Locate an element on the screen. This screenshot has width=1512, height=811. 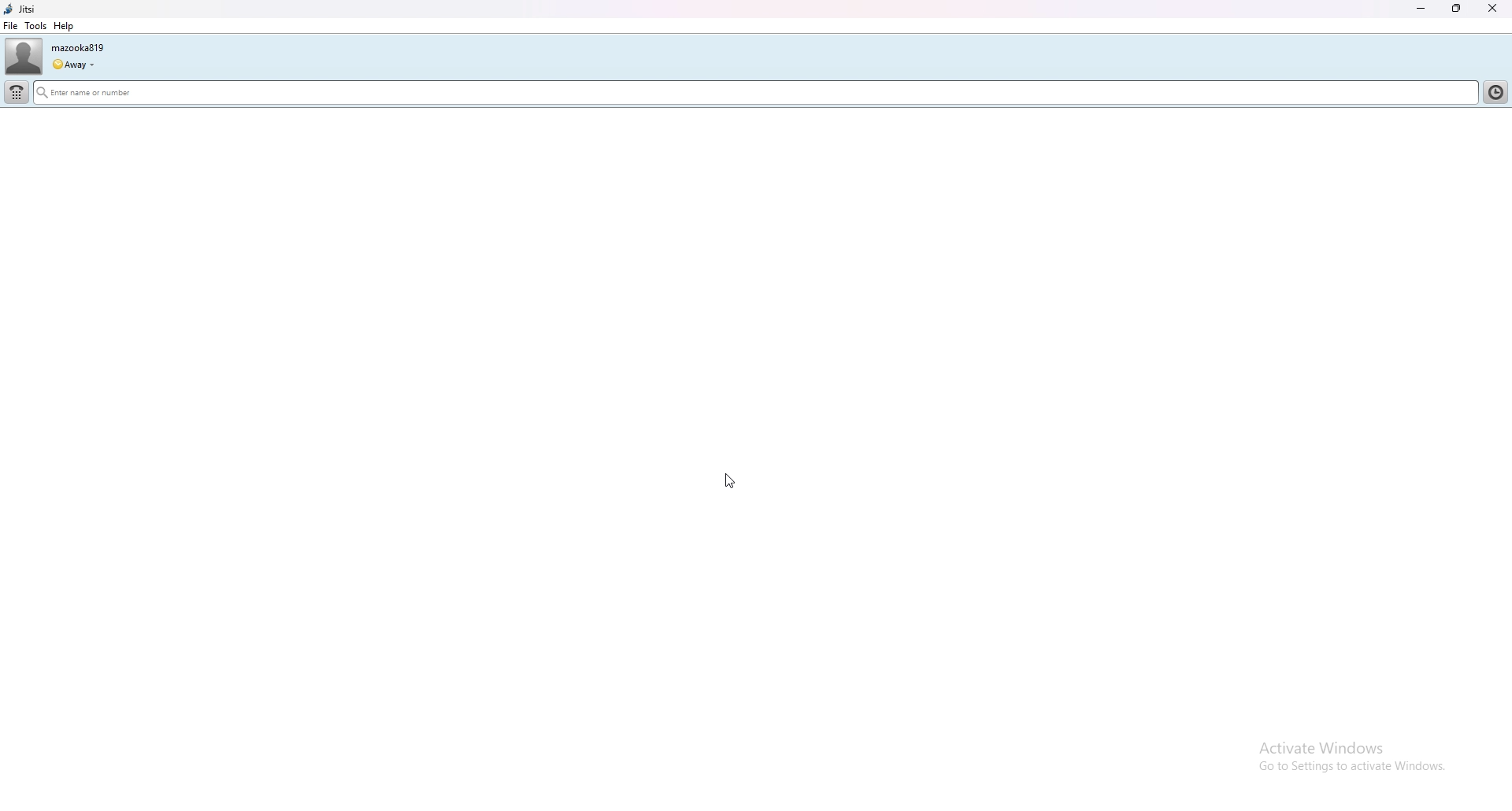
search bar is located at coordinates (756, 94).